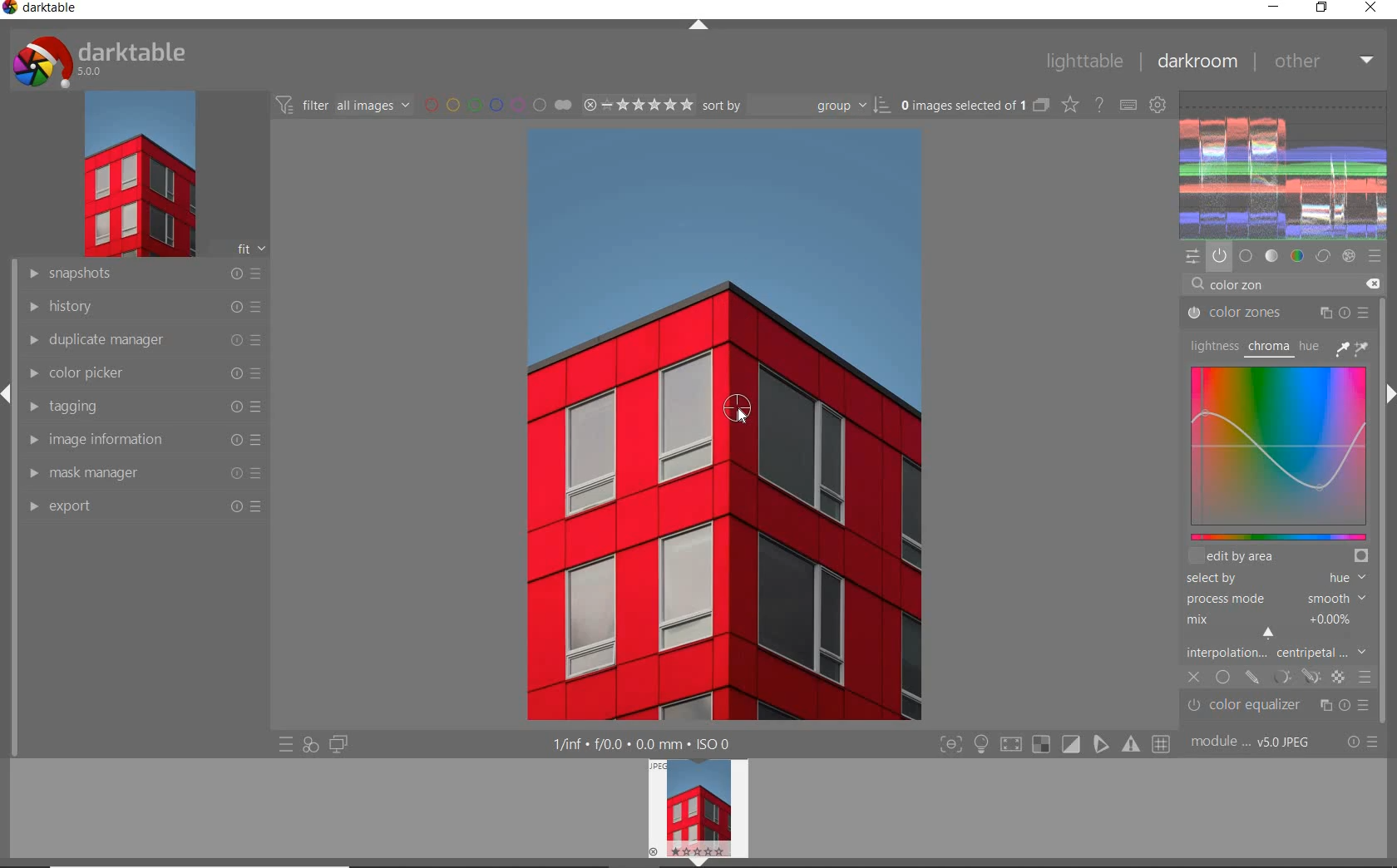  I want to click on show only active modules, so click(1219, 255).